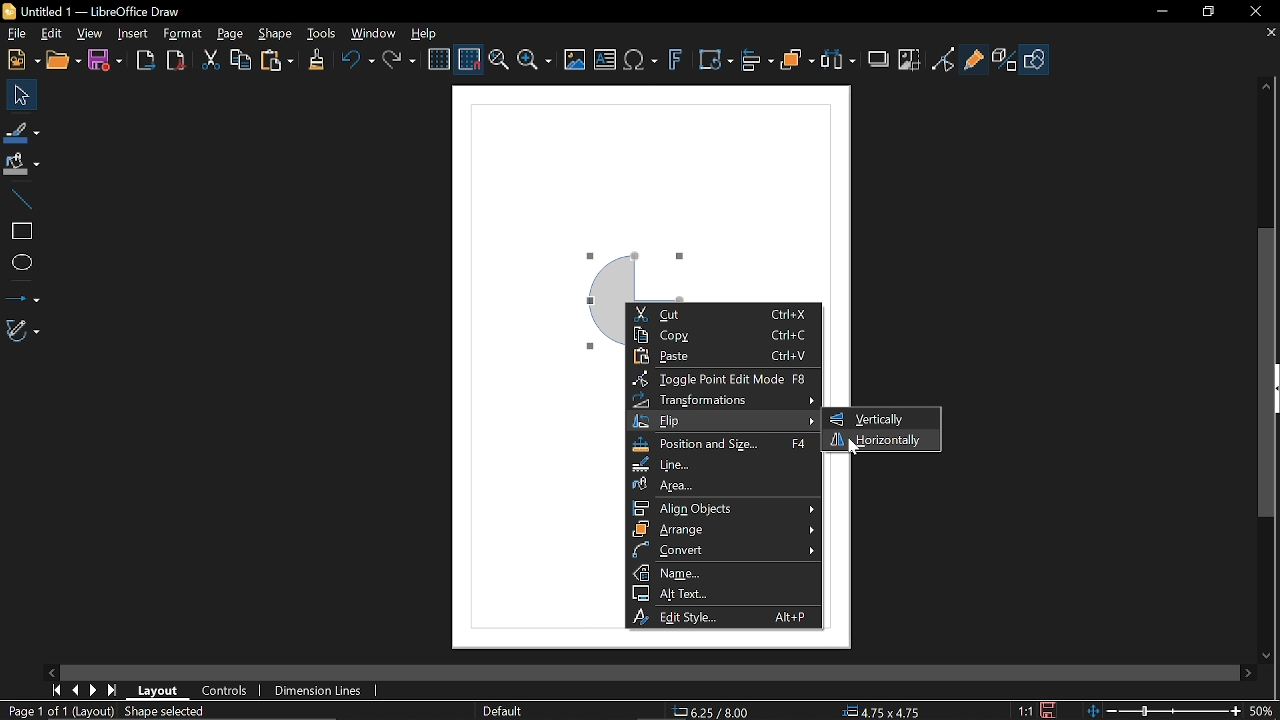 The height and width of the screenshot is (720, 1280). Describe the element at coordinates (882, 712) in the screenshot. I see `4.75x4.75 (Object Size)` at that location.